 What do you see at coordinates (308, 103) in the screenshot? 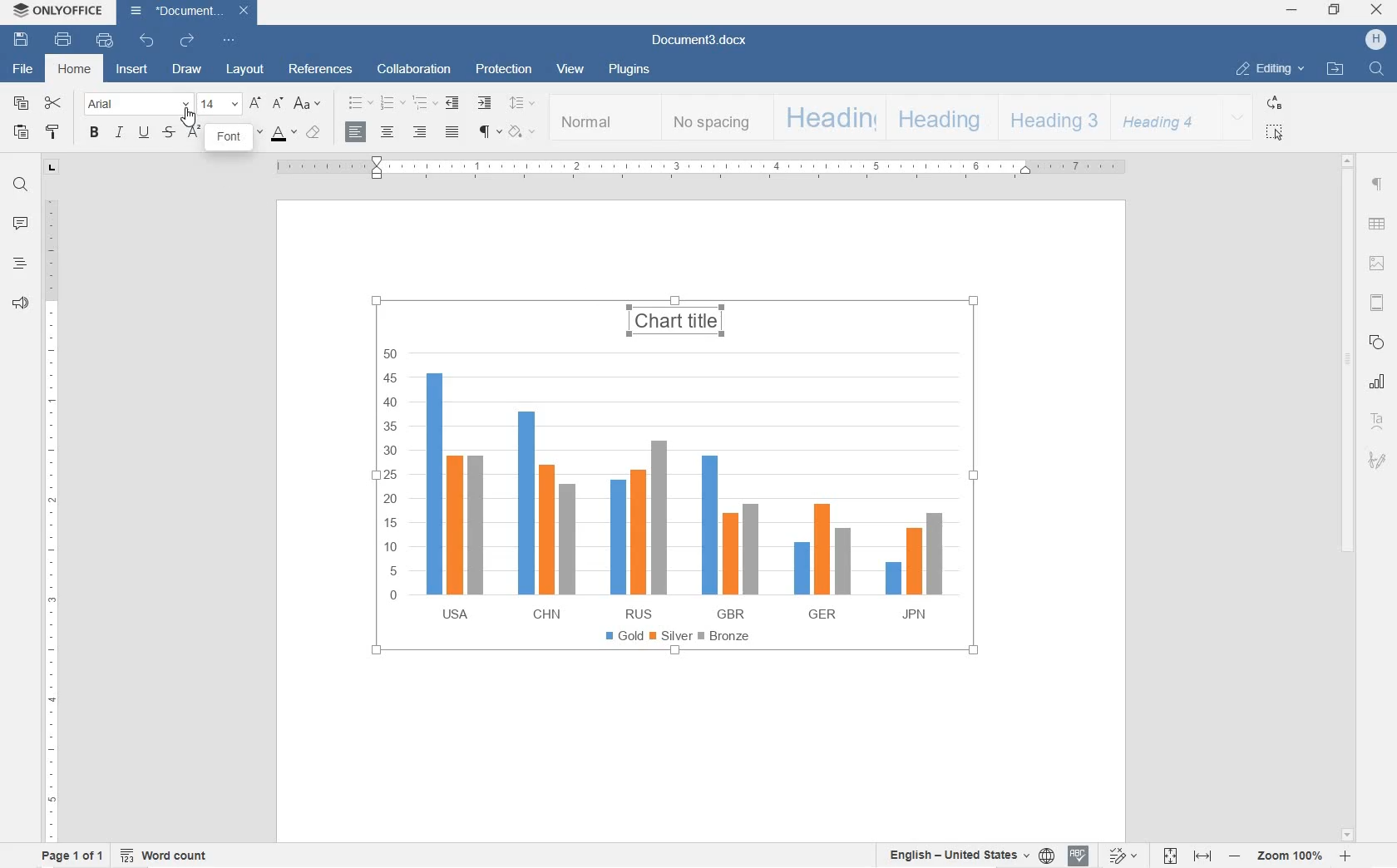
I see `CHANGE CASE` at bounding box center [308, 103].